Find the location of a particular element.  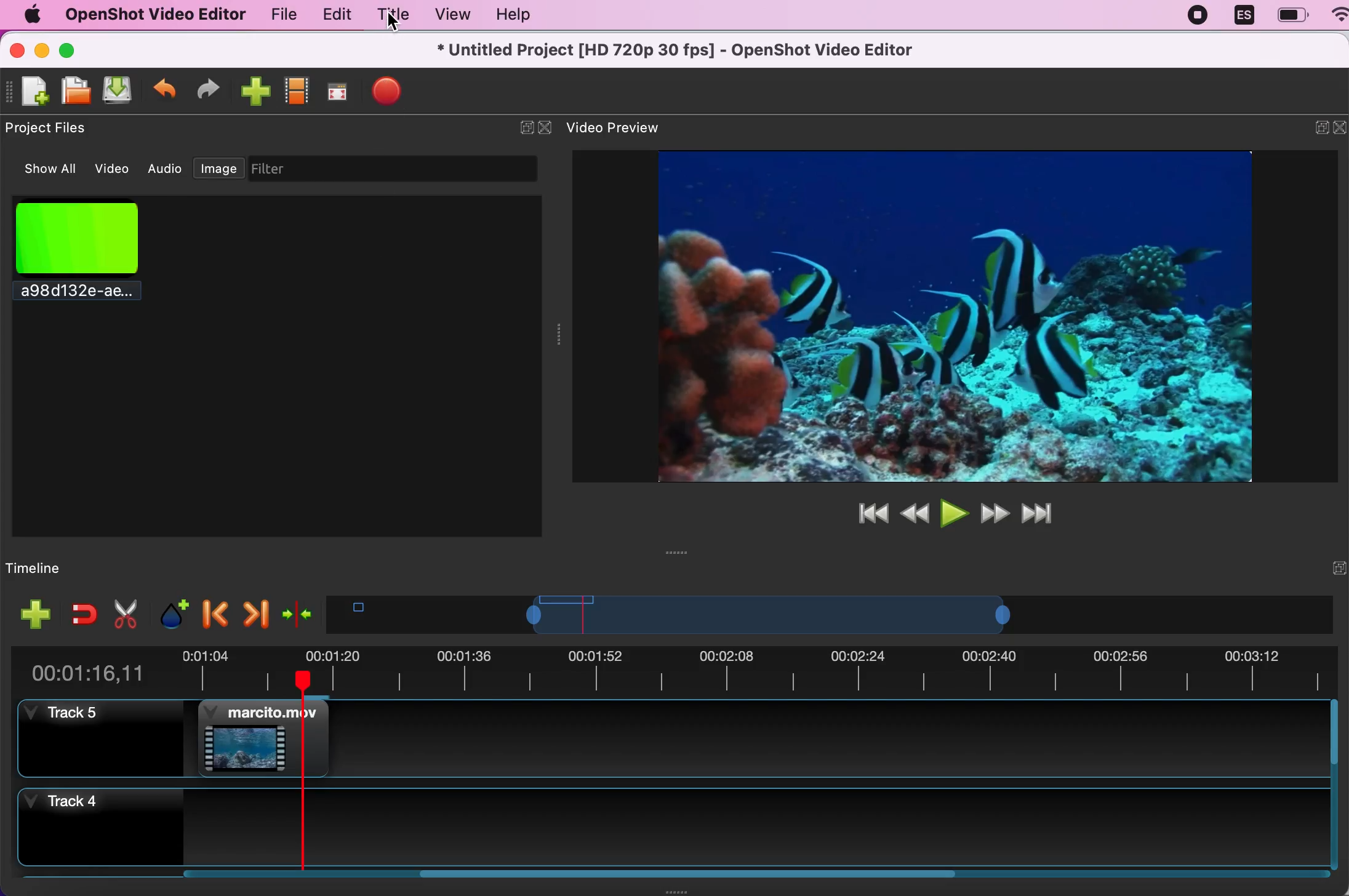

cut is located at coordinates (124, 614).